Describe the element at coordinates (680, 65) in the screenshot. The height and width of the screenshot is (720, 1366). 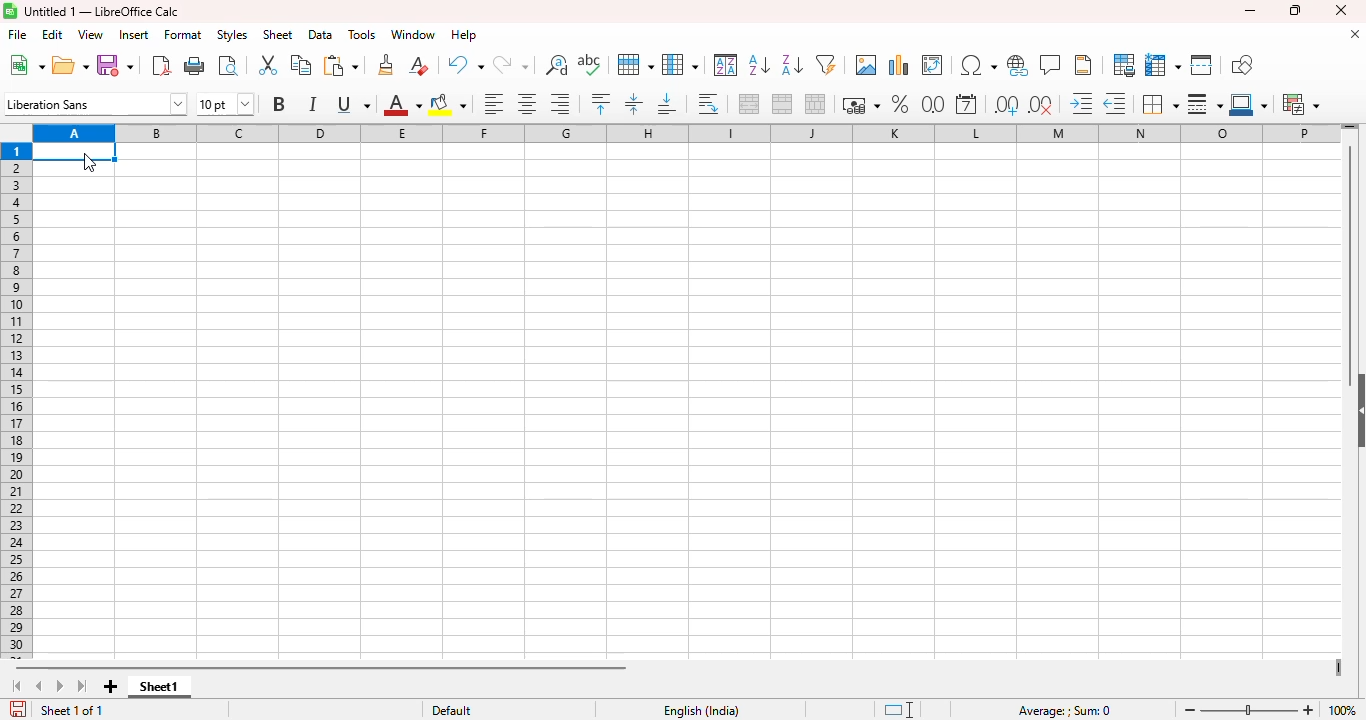
I see `column` at that location.